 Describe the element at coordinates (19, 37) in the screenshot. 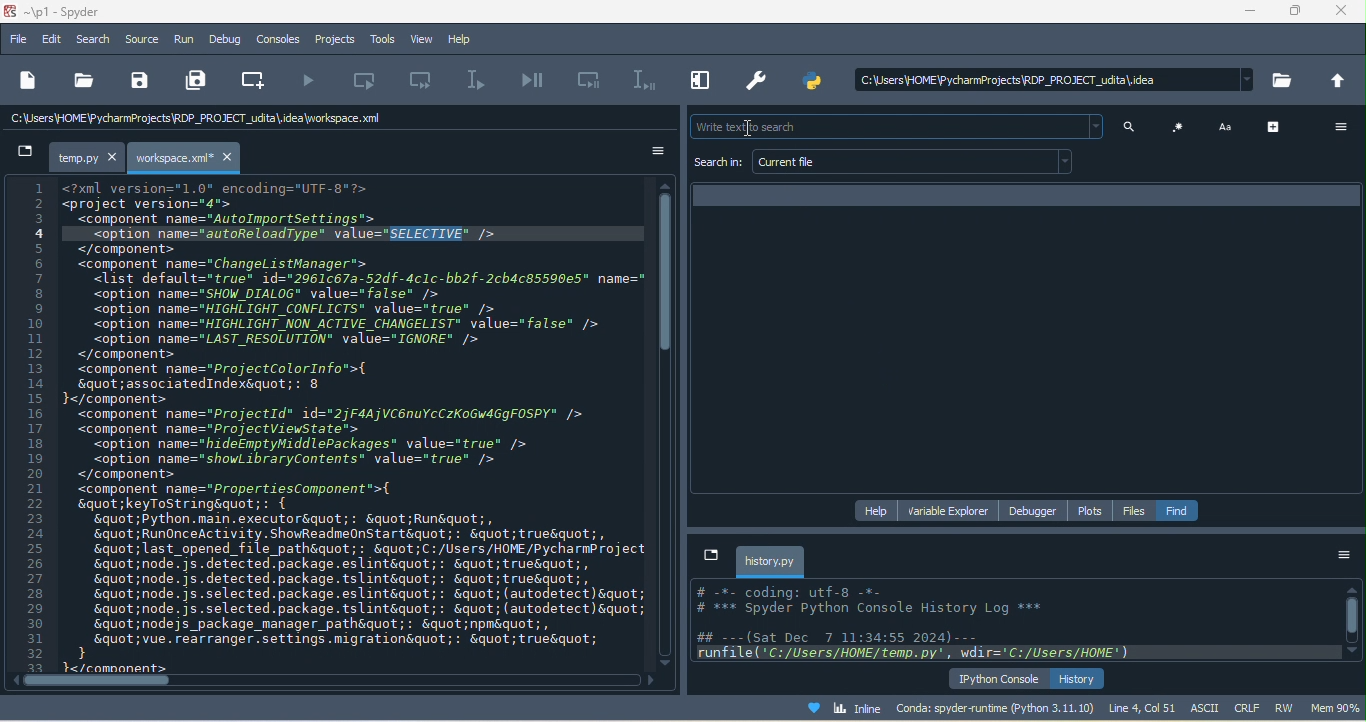

I see `file` at that location.